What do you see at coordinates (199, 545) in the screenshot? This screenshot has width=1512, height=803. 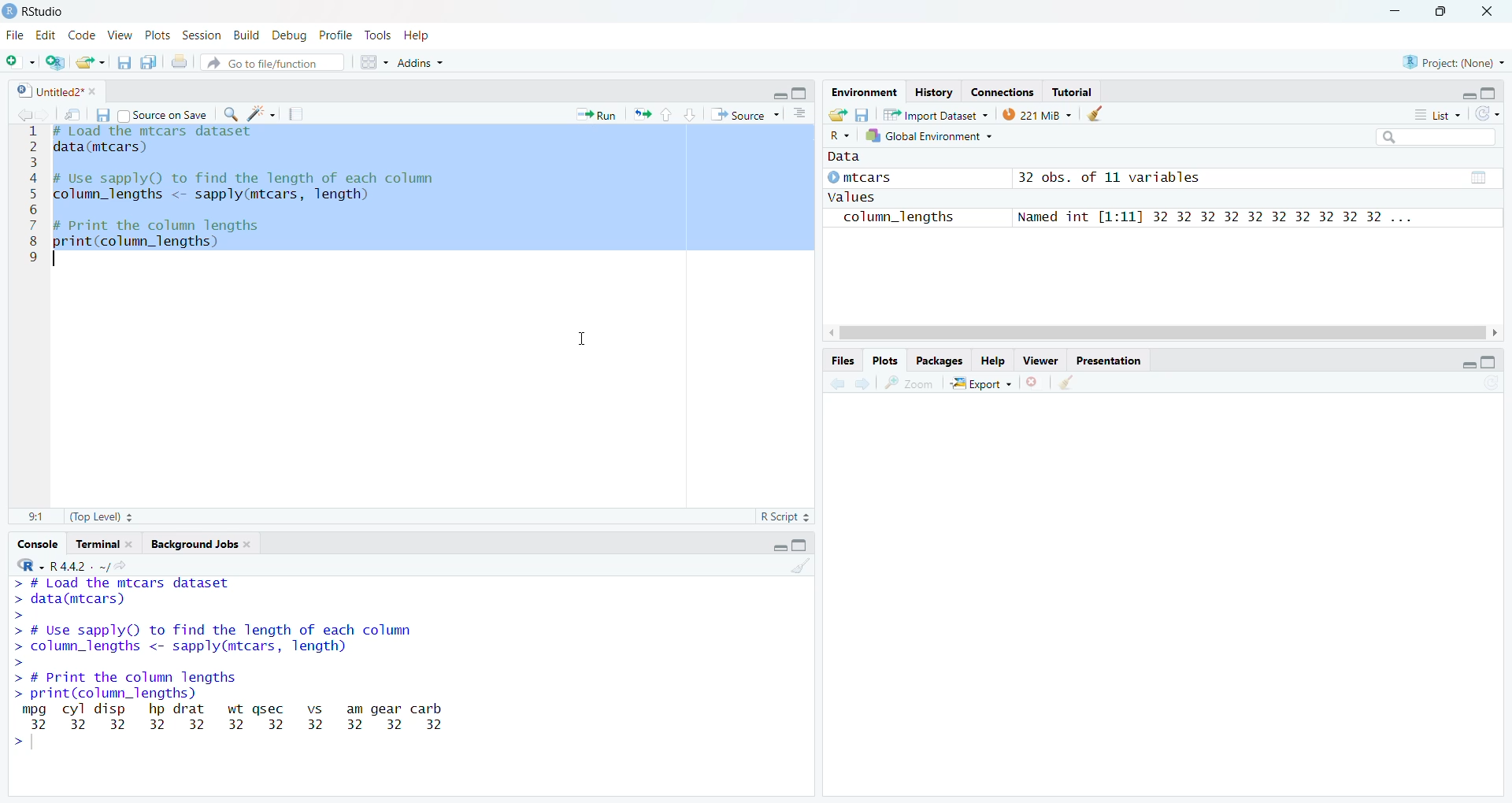 I see `Background Jobs` at bounding box center [199, 545].